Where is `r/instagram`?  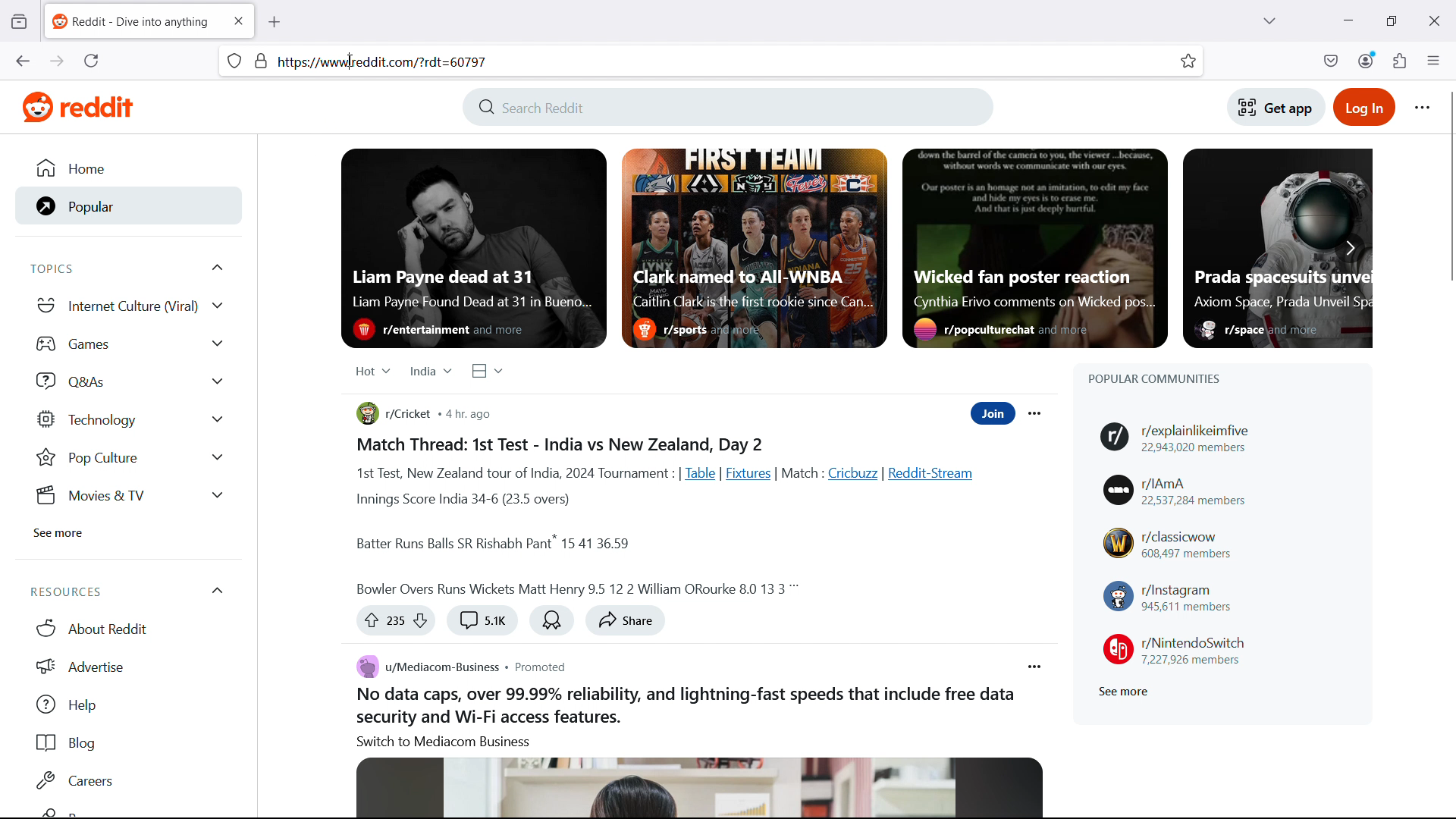 r/instagram is located at coordinates (1169, 597).